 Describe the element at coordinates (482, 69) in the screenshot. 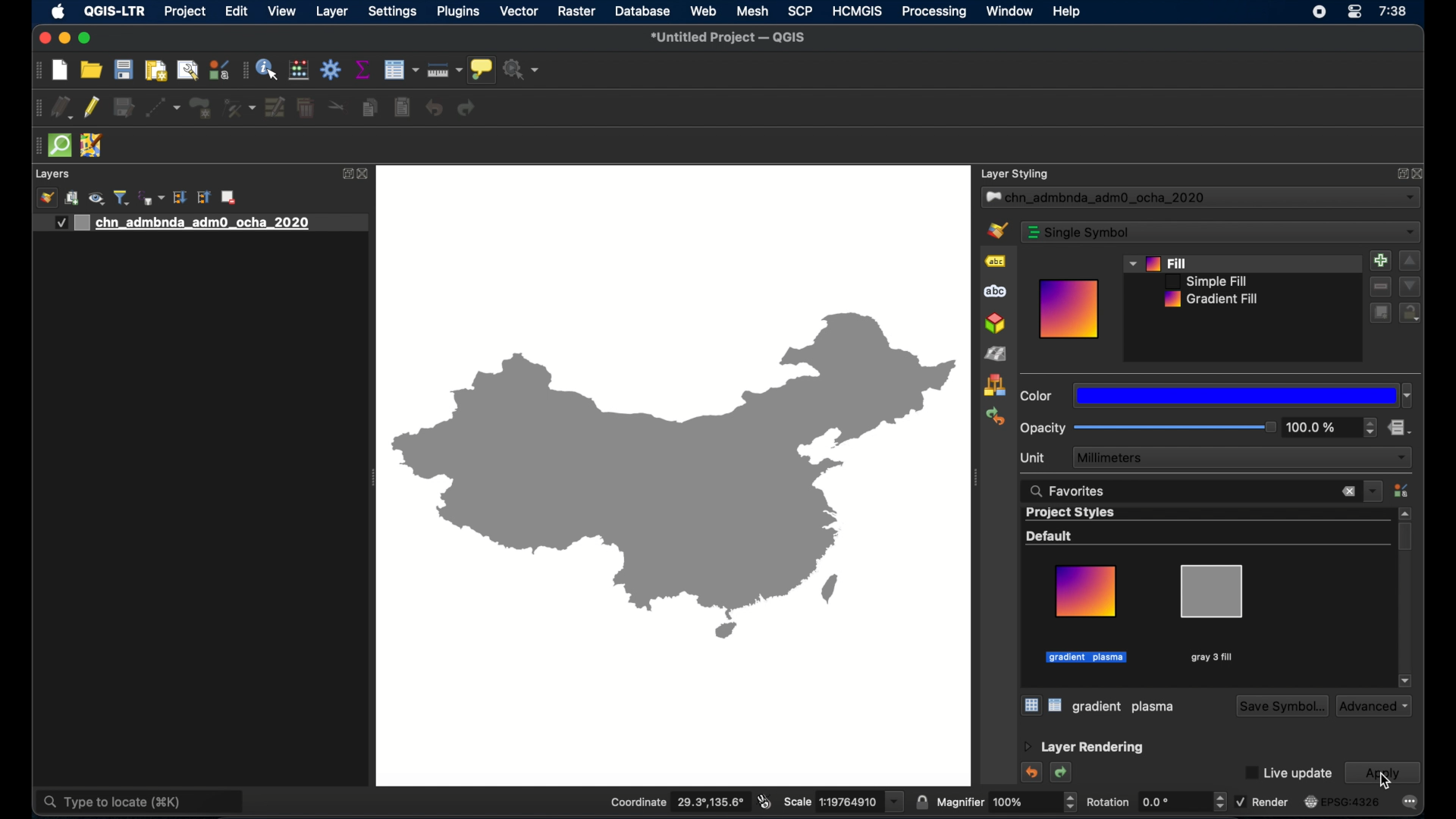

I see `show map tips` at that location.